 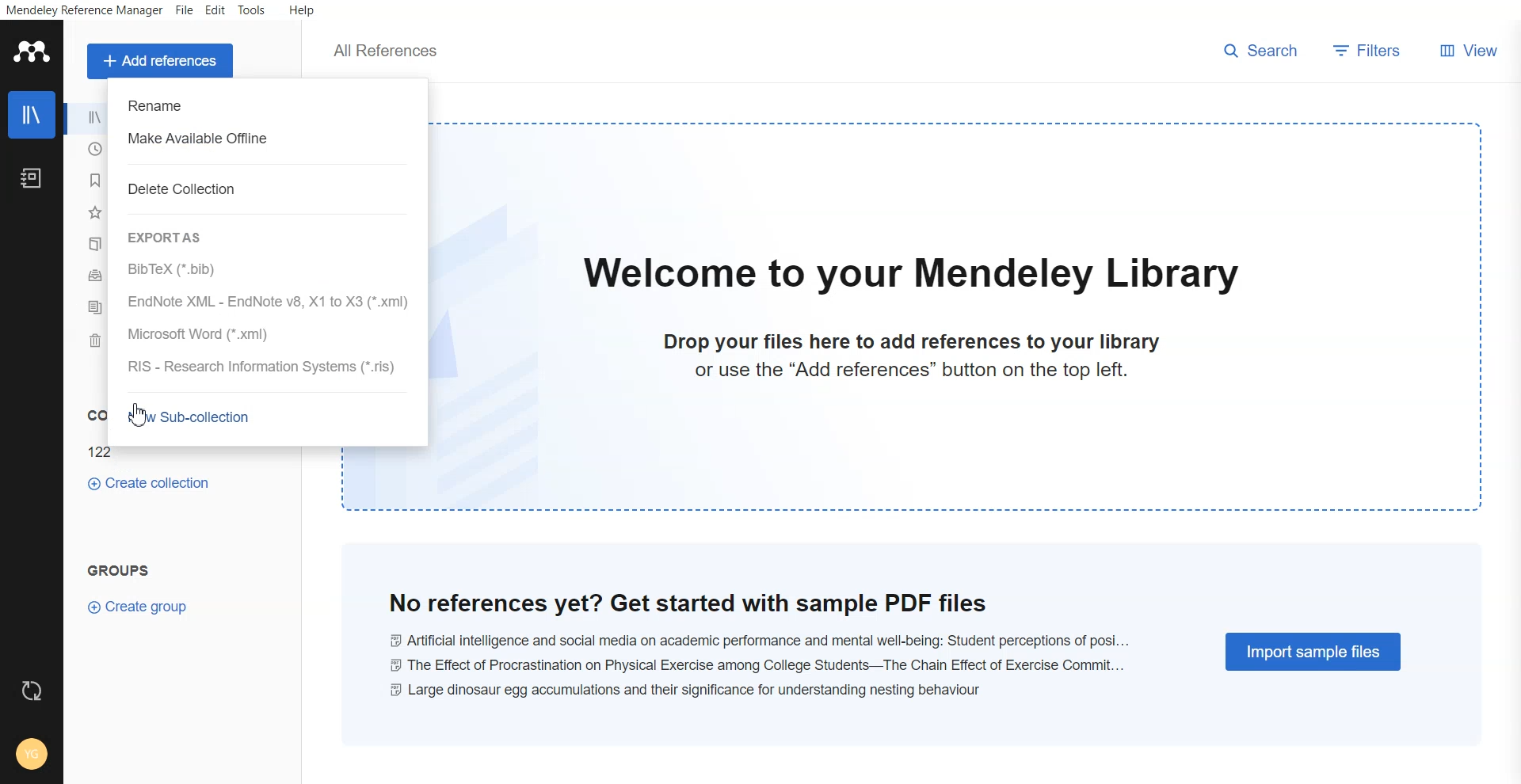 I want to click on all references, so click(x=380, y=51).